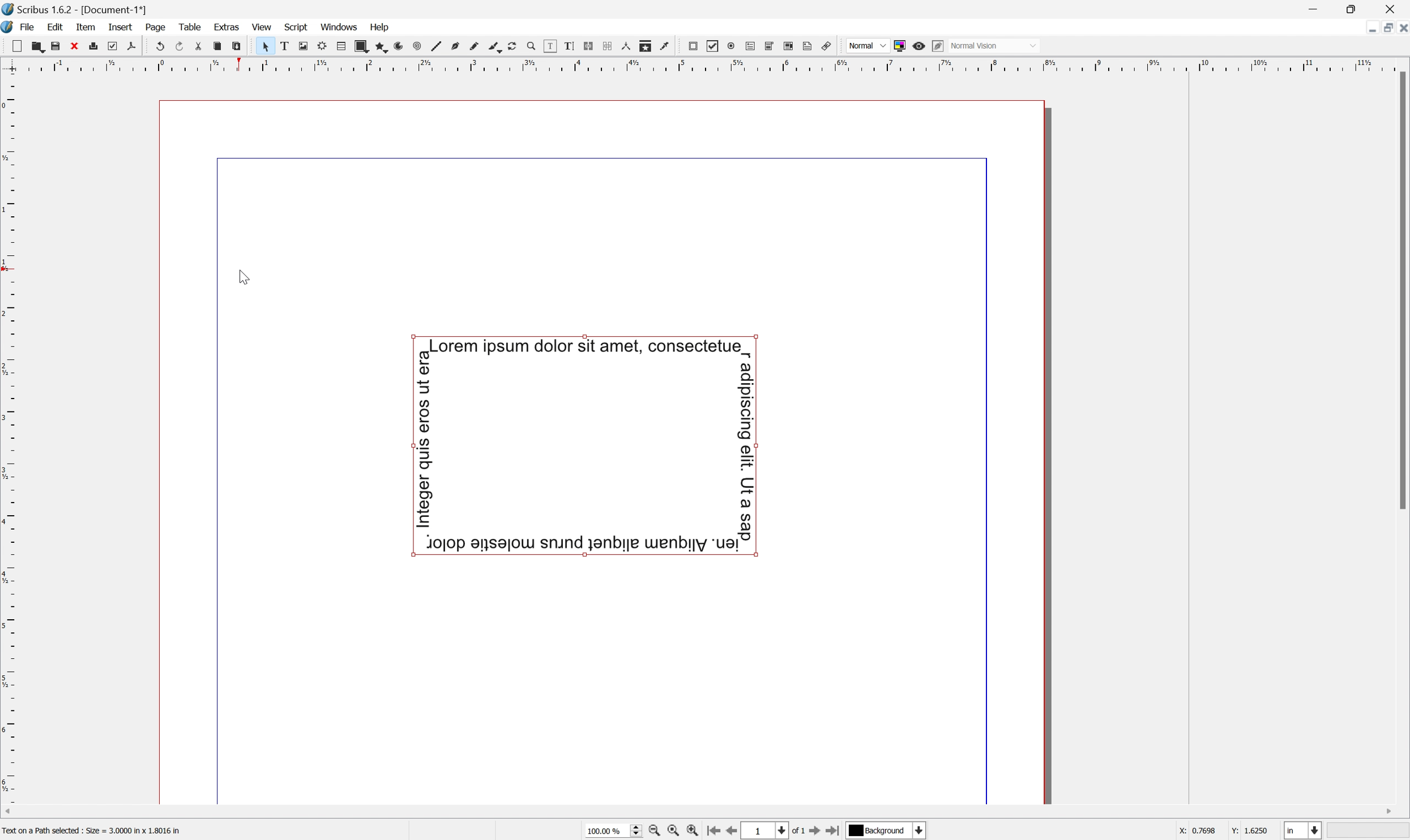  What do you see at coordinates (1401, 293) in the screenshot?
I see `Scroll bar` at bounding box center [1401, 293].